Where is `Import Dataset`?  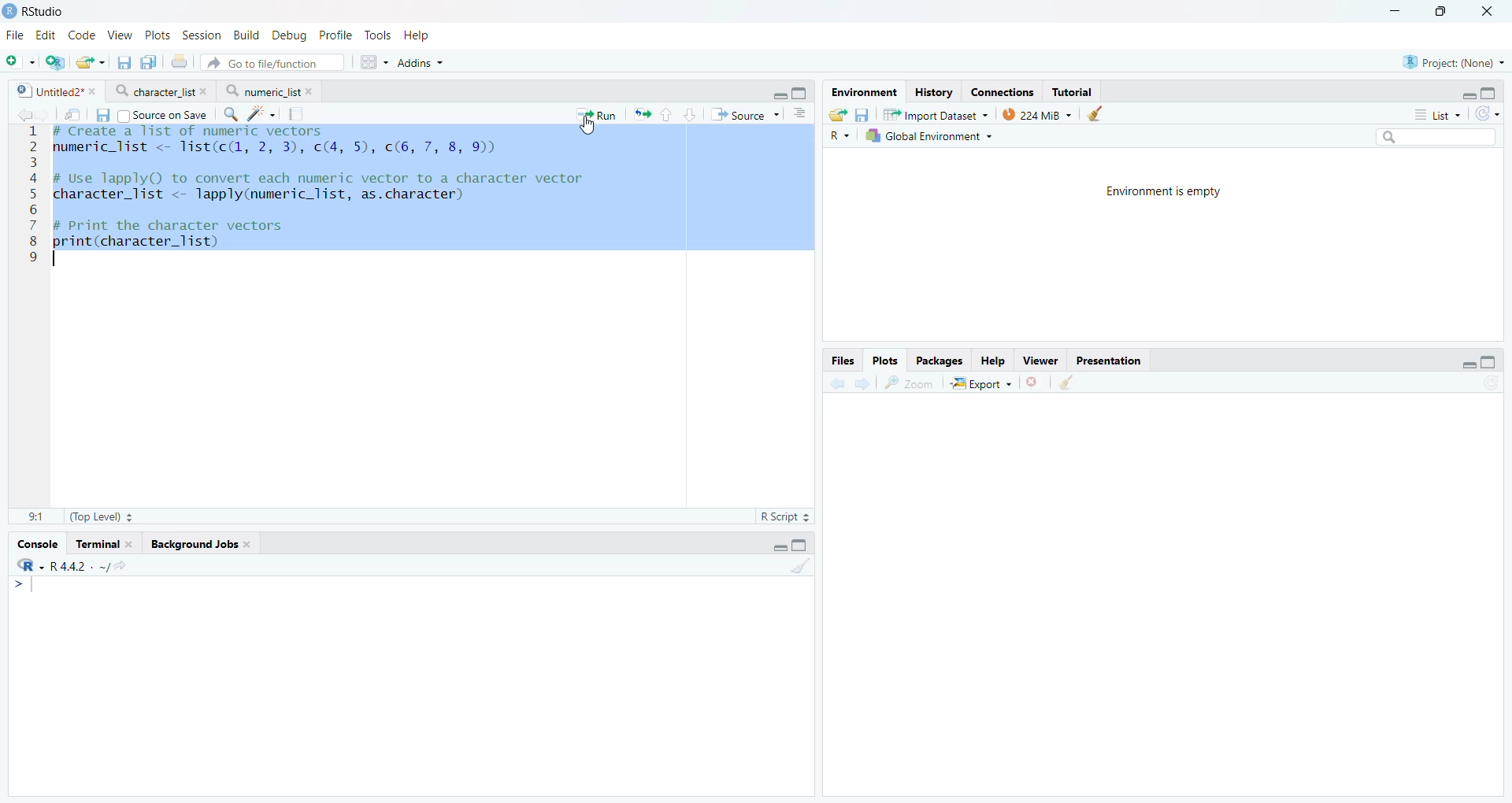 Import Dataset is located at coordinates (936, 115).